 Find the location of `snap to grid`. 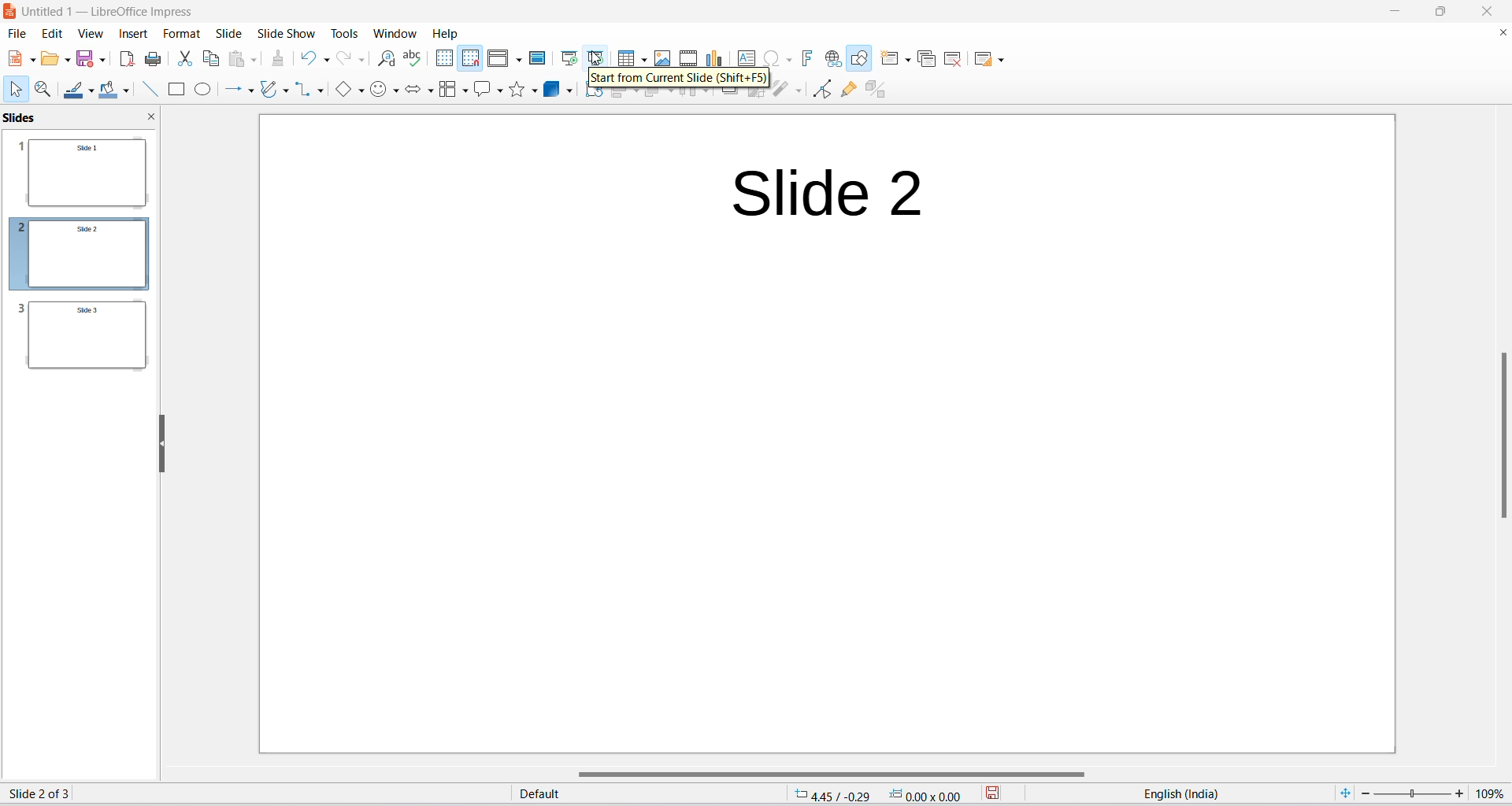

snap to grid is located at coordinates (469, 59).